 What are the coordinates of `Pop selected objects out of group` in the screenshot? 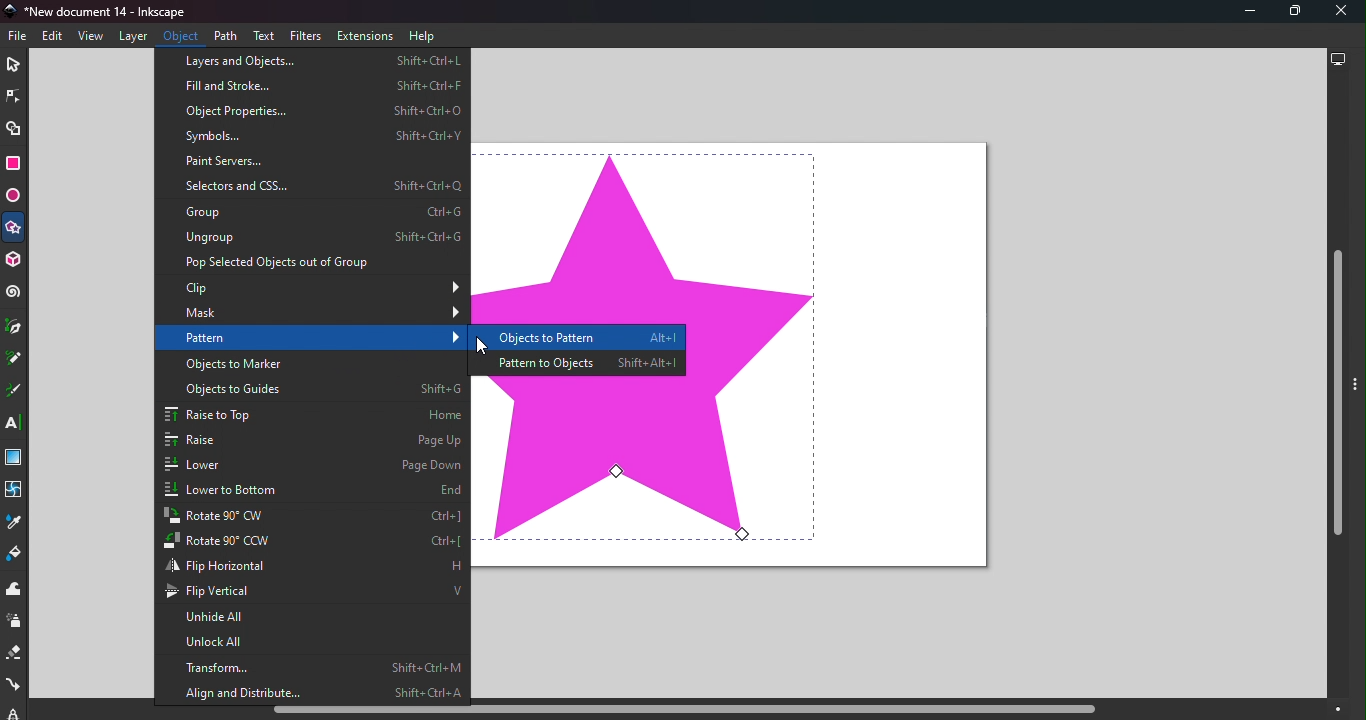 It's located at (320, 261).